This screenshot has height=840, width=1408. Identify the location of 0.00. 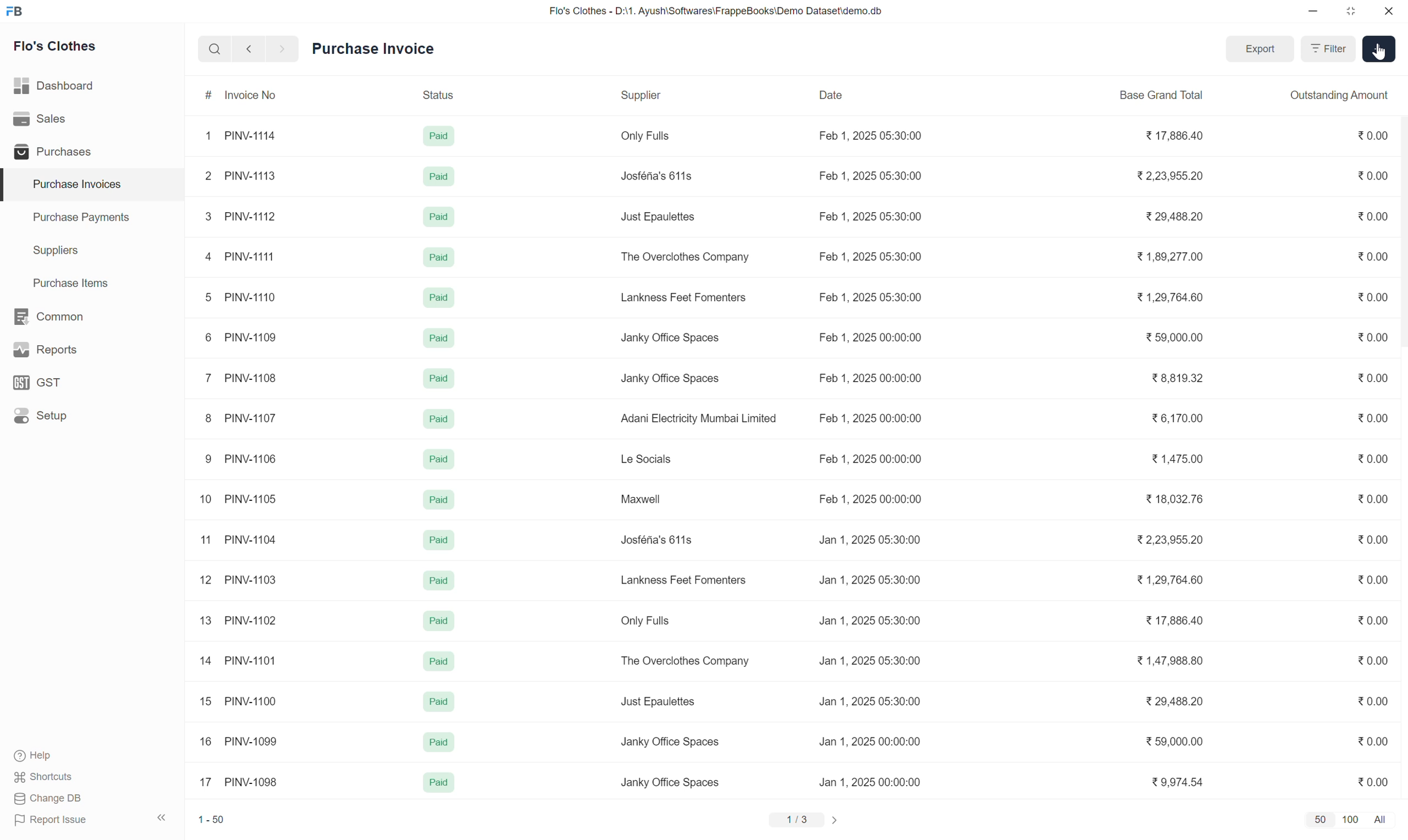
(1373, 175).